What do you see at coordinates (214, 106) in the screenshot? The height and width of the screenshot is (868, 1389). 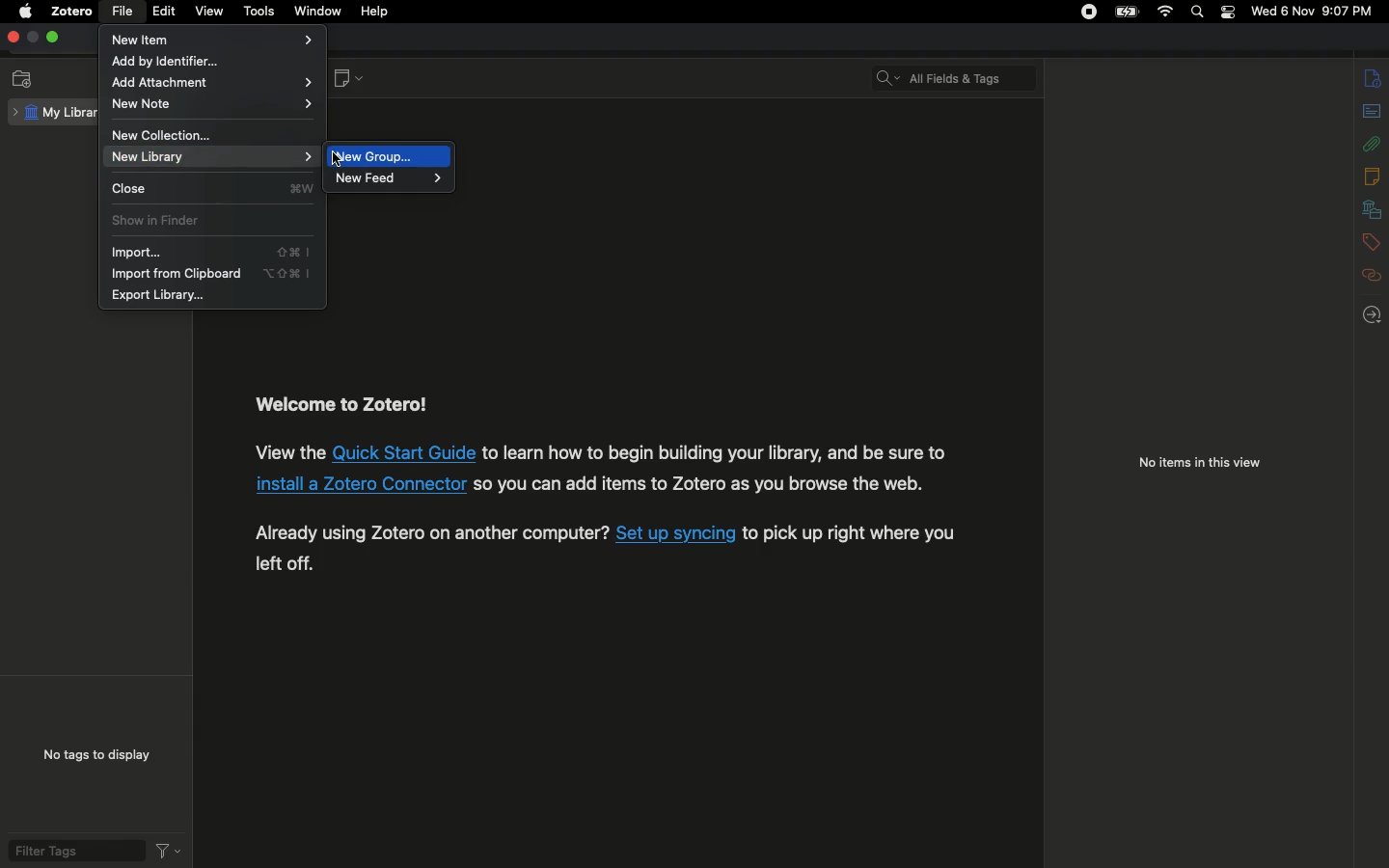 I see `New note` at bounding box center [214, 106].